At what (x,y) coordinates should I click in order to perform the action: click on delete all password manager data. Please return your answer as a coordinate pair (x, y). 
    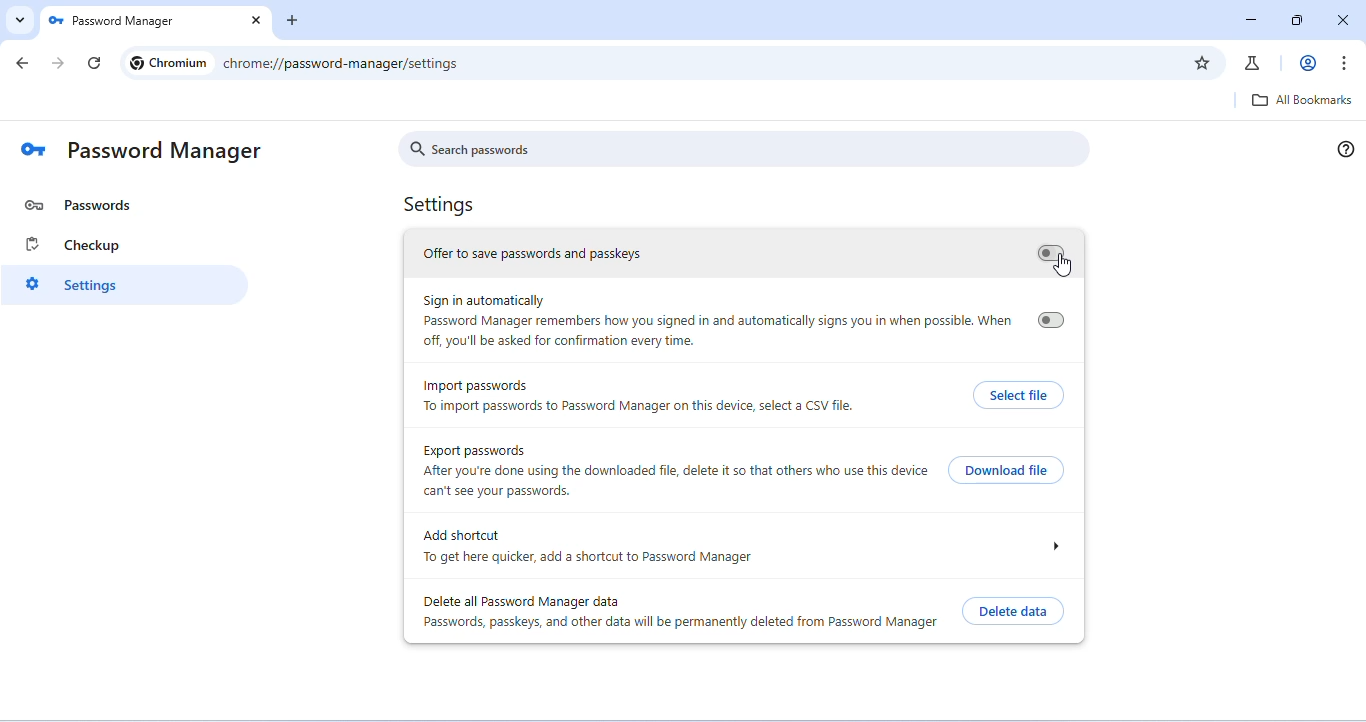
    Looking at the image, I should click on (522, 601).